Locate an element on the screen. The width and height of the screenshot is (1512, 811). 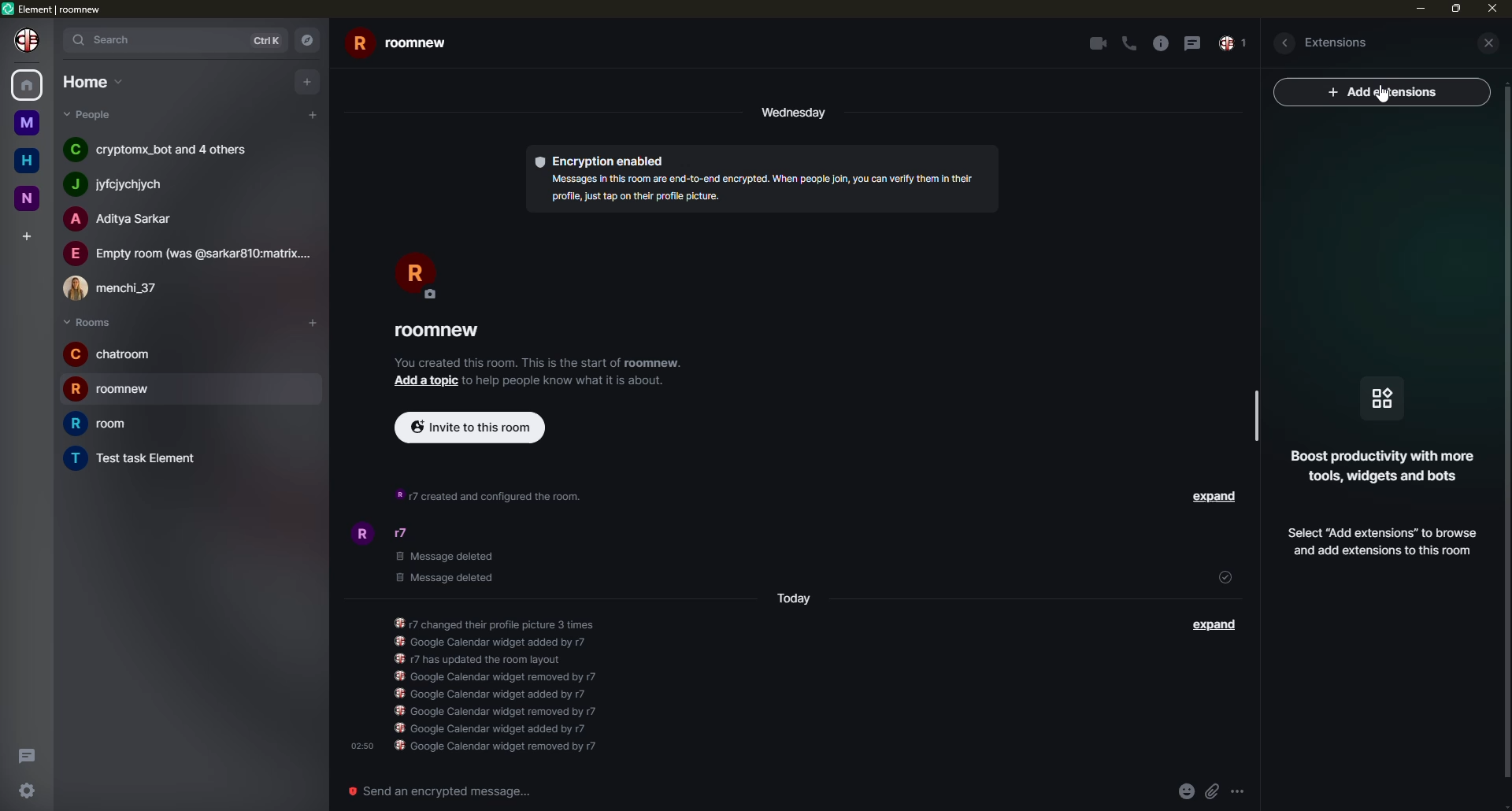
room is located at coordinates (112, 354).